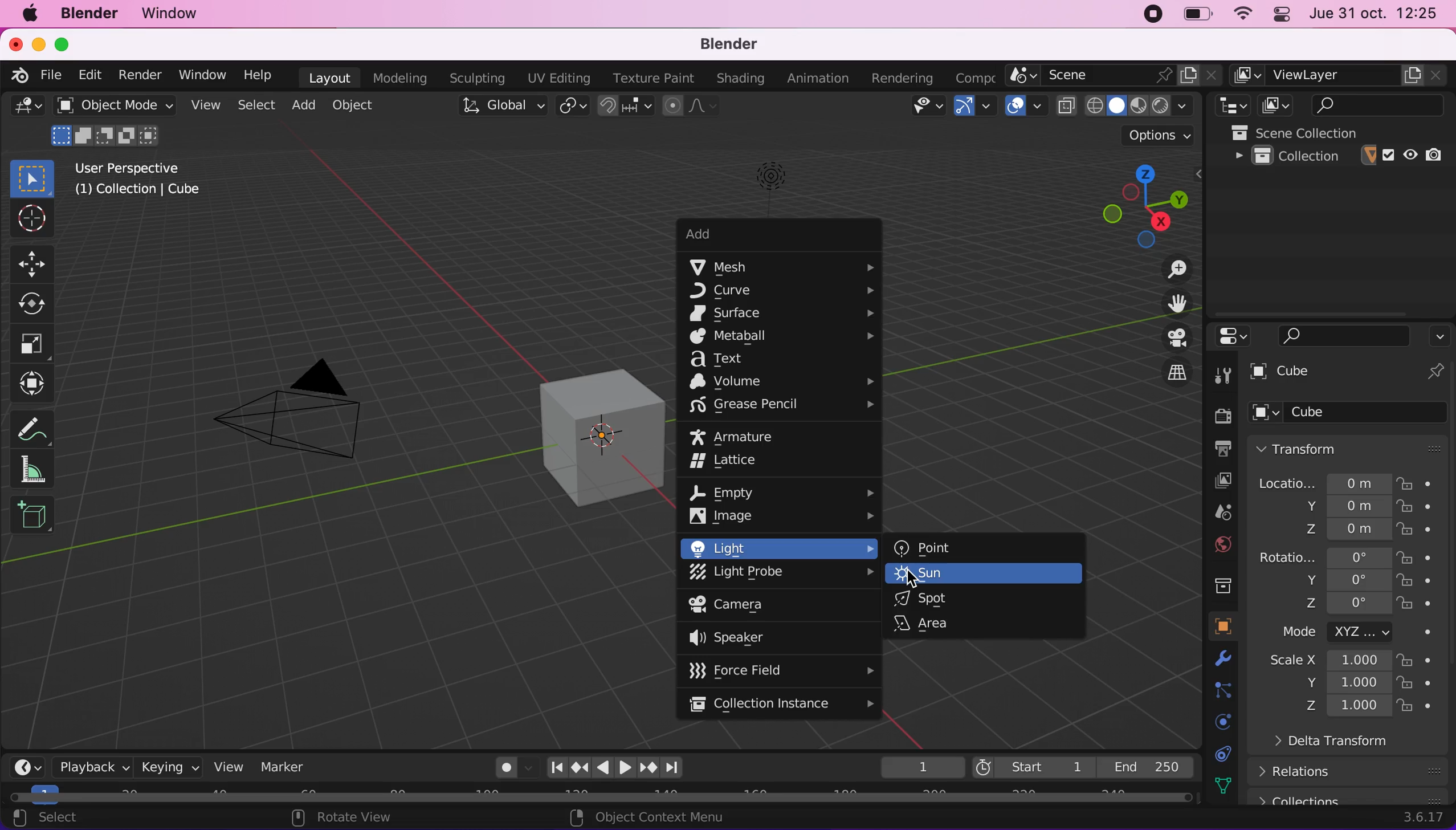  I want to click on text, so click(735, 359).